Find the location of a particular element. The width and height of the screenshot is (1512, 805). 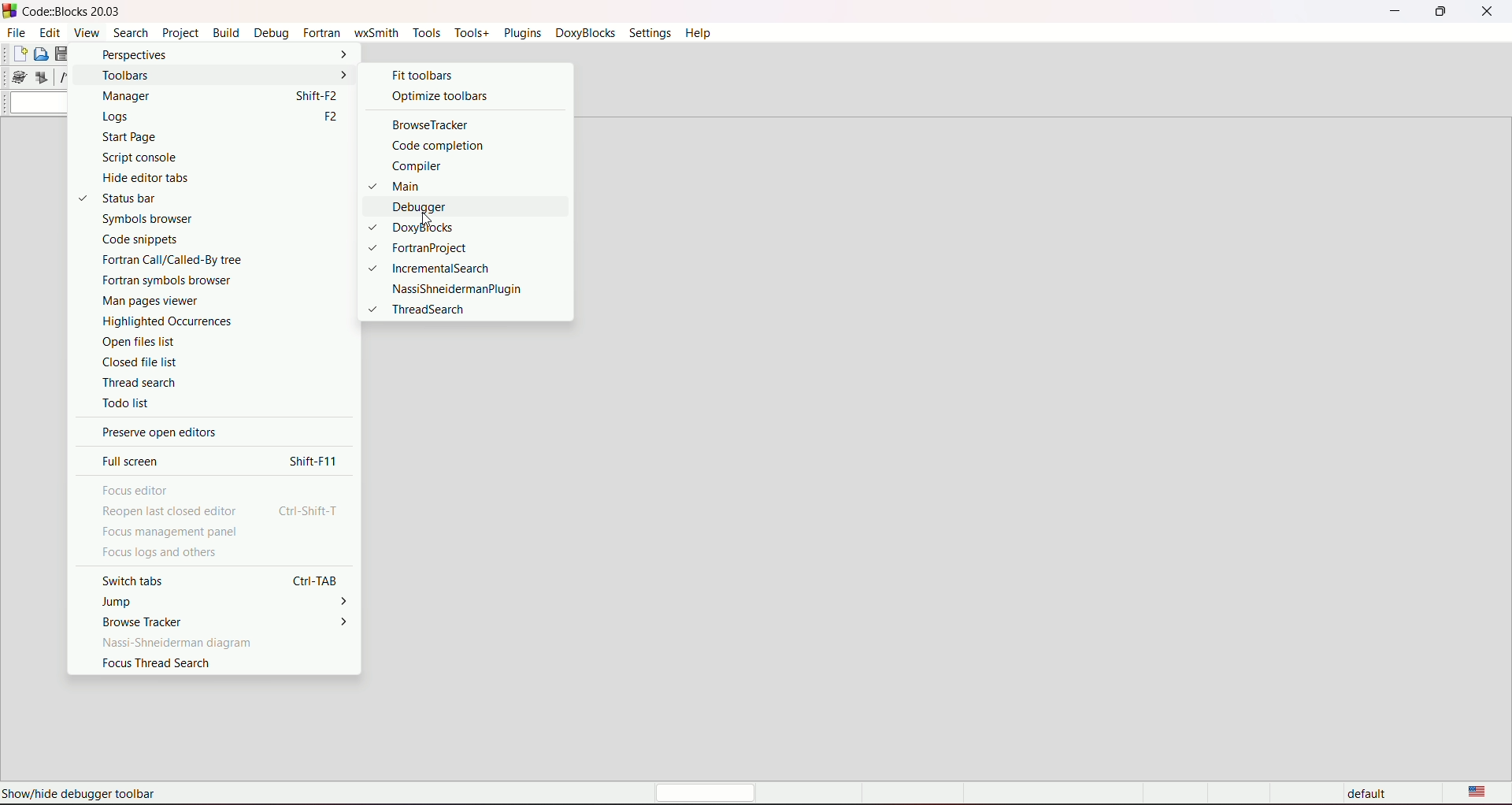

fit toolbars is located at coordinates (420, 74).